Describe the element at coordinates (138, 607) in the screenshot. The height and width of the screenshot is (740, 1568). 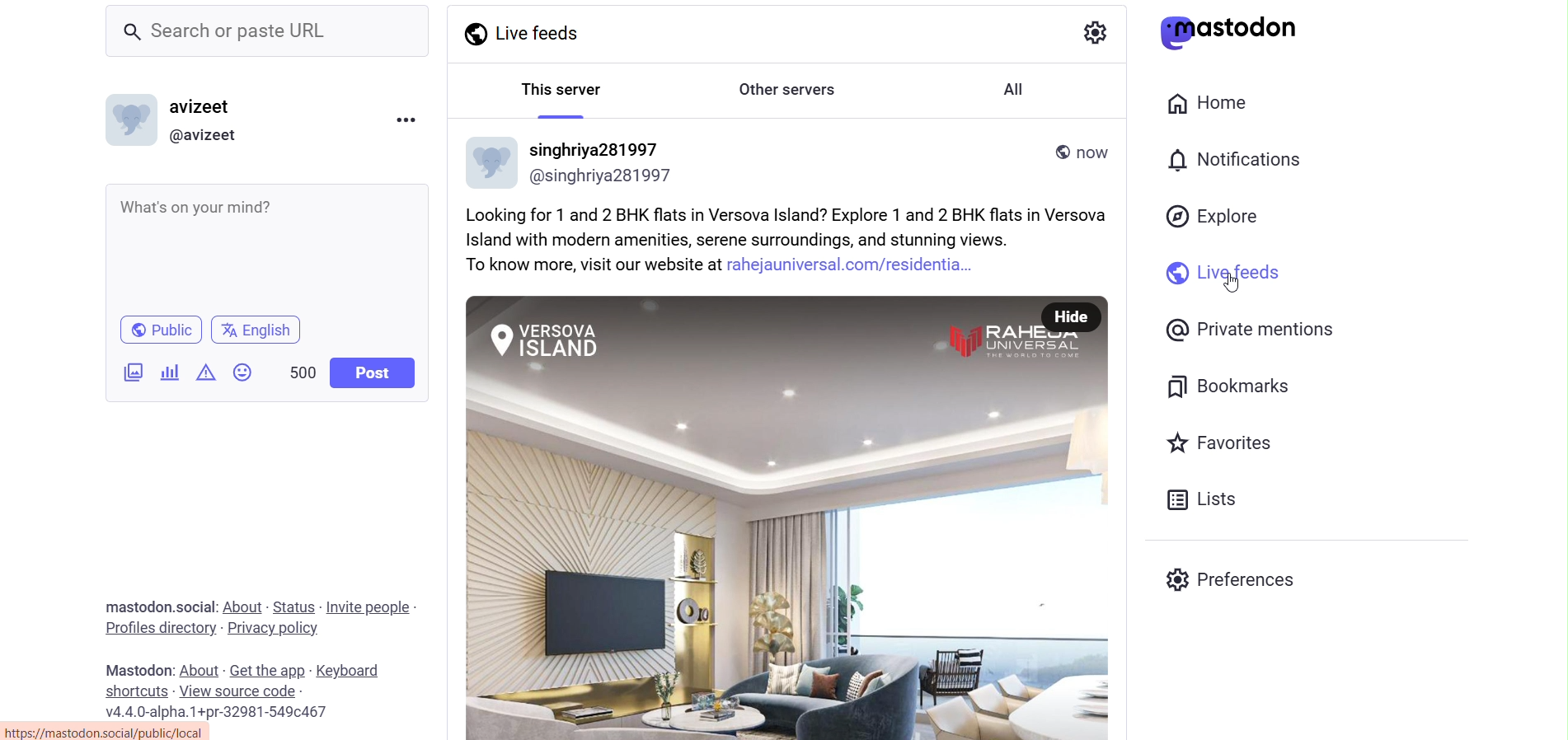
I see `mastodon` at that location.